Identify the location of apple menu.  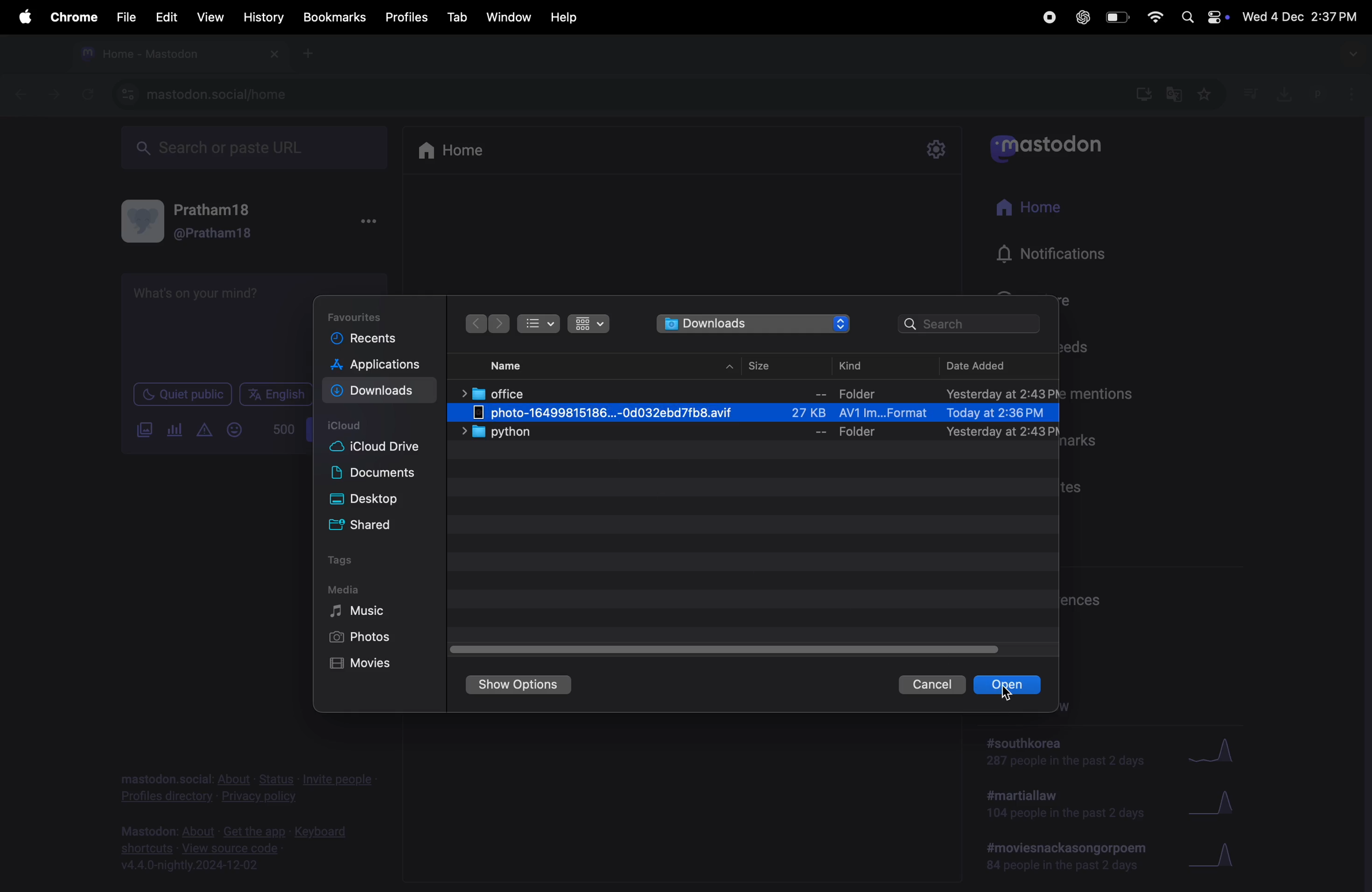
(20, 17).